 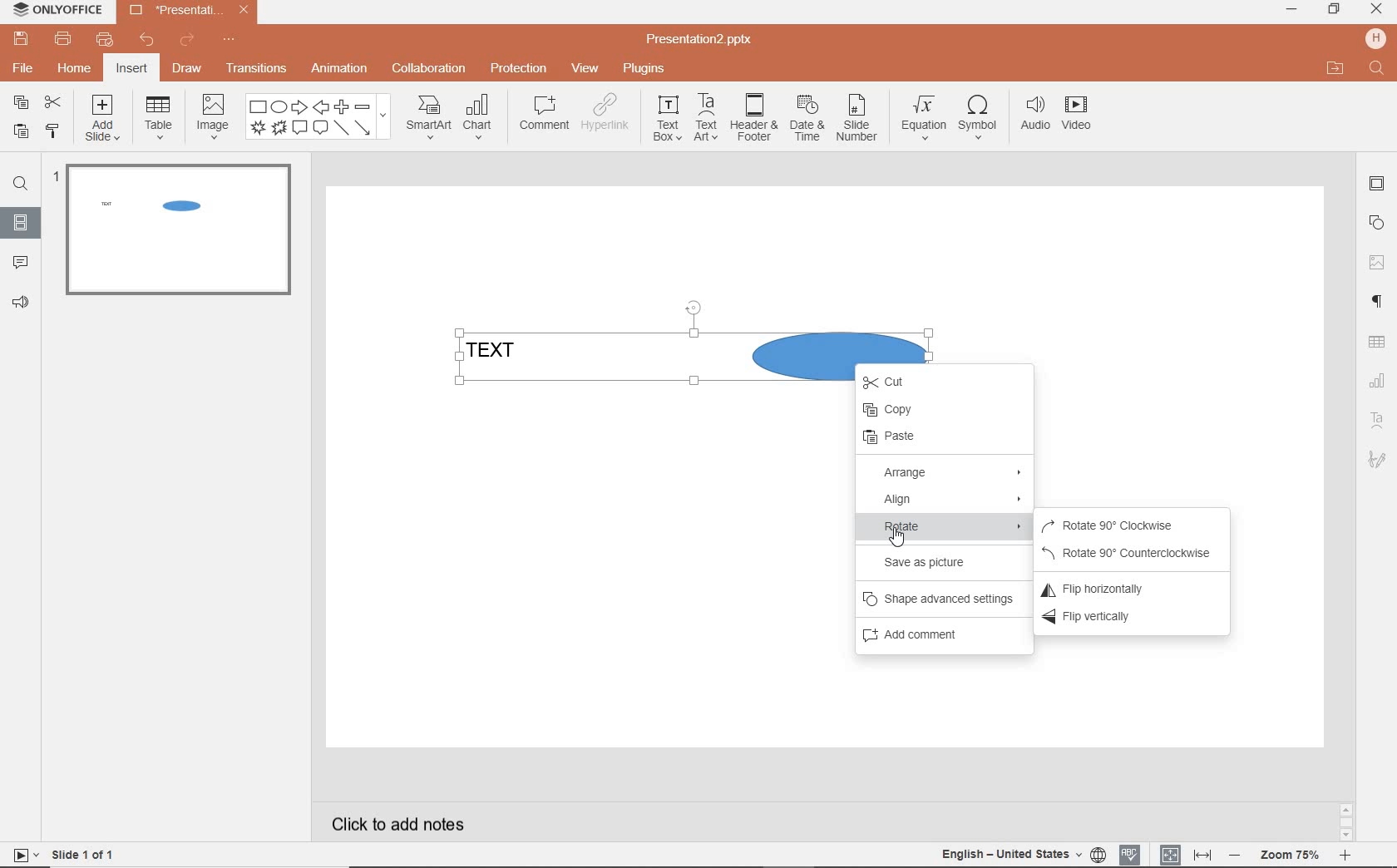 What do you see at coordinates (805, 122) in the screenshot?
I see `date & time` at bounding box center [805, 122].